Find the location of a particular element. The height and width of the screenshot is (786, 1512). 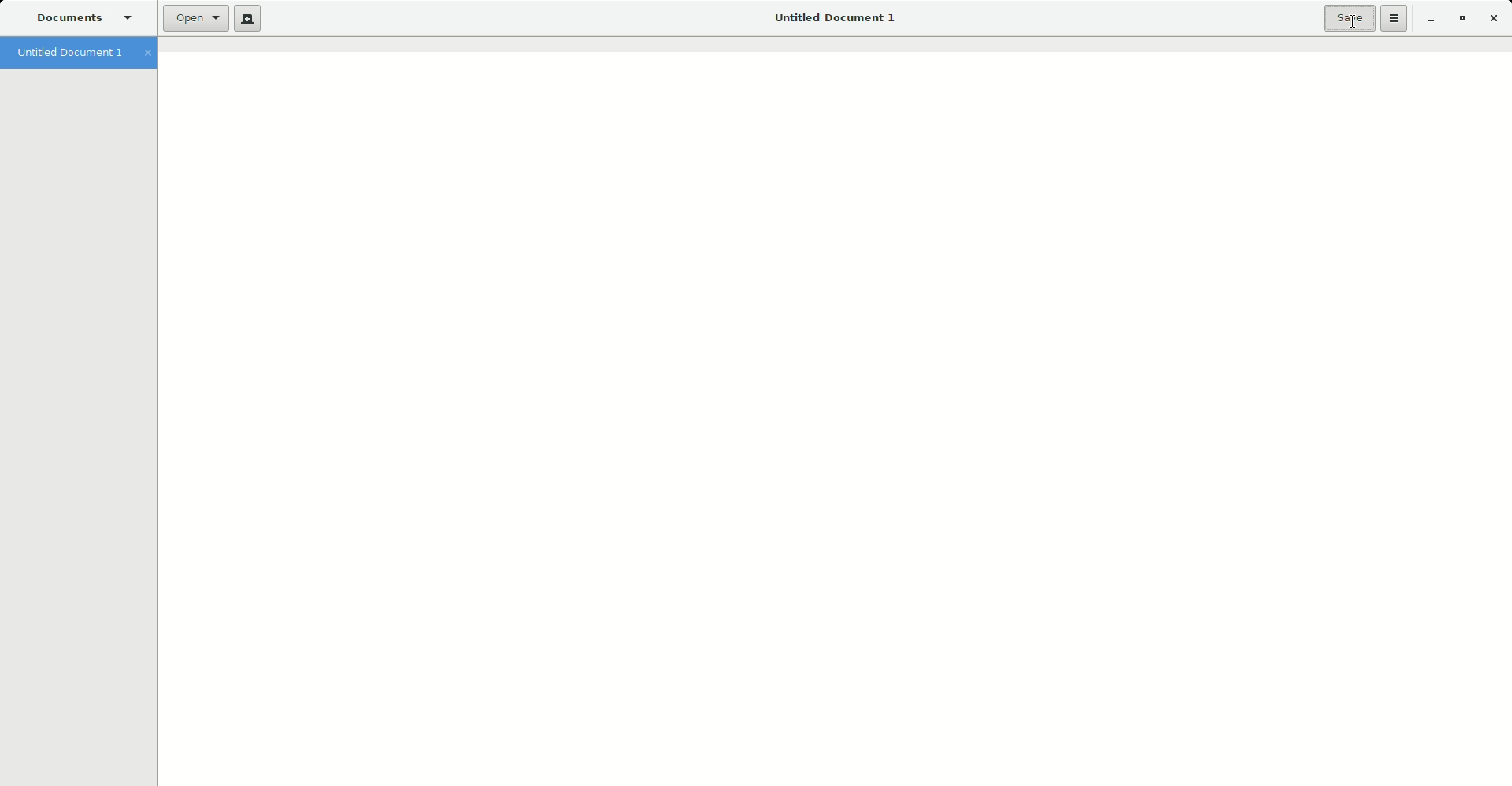

Cursor is located at coordinates (1354, 24).